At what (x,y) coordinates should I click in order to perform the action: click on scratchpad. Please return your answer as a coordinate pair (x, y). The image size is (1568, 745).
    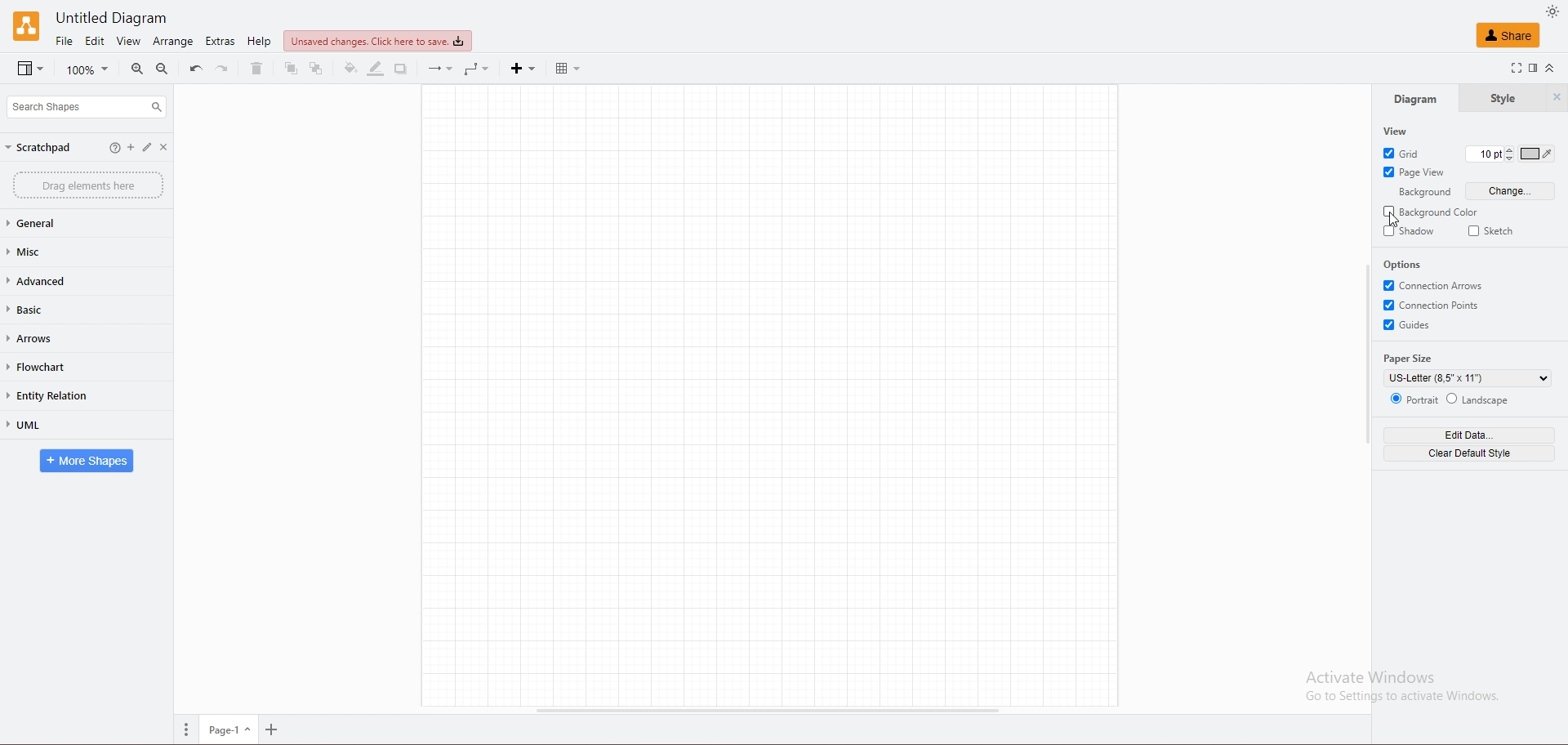
    Looking at the image, I should click on (39, 147).